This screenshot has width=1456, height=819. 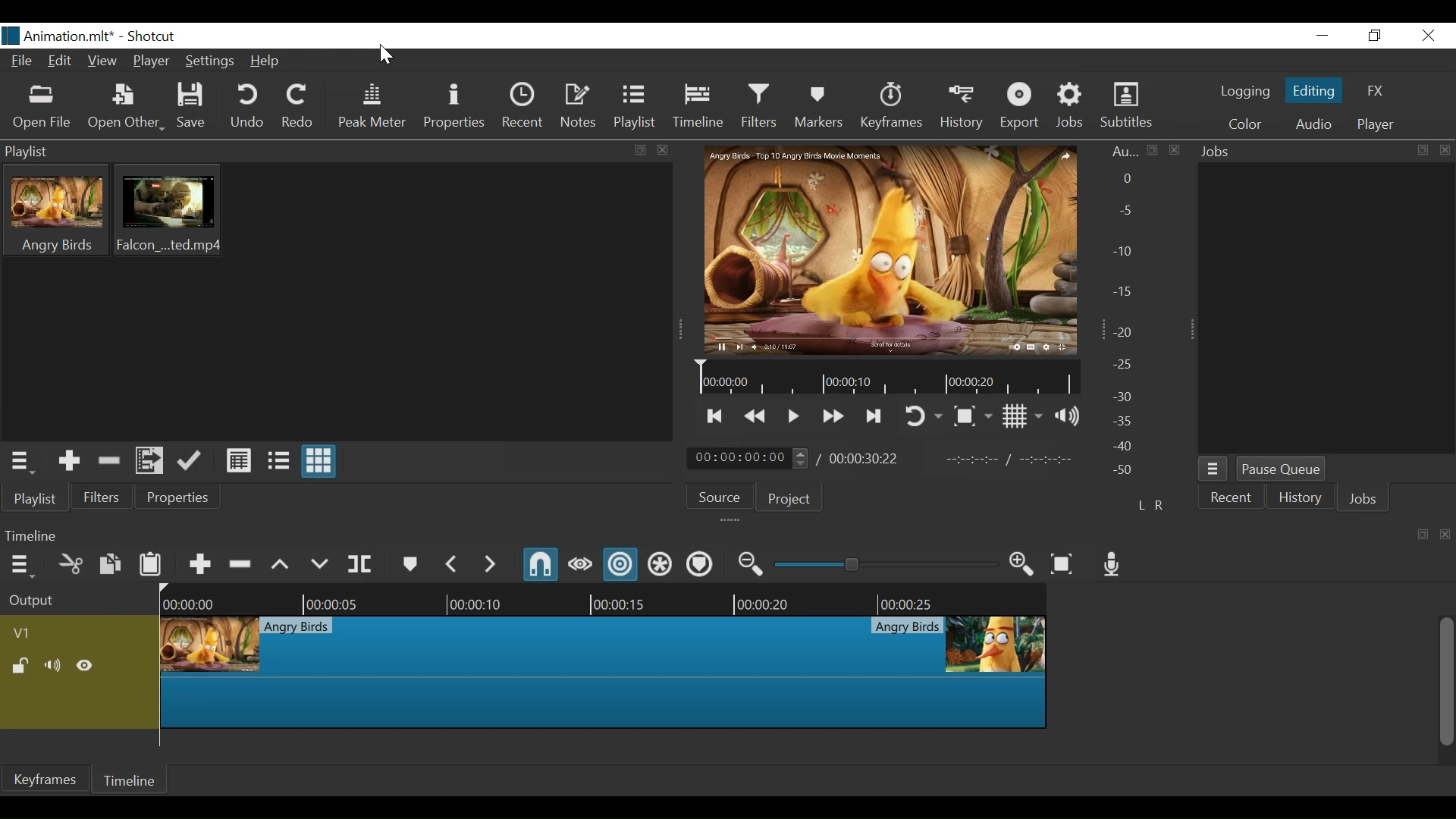 I want to click on Color, so click(x=1248, y=124).